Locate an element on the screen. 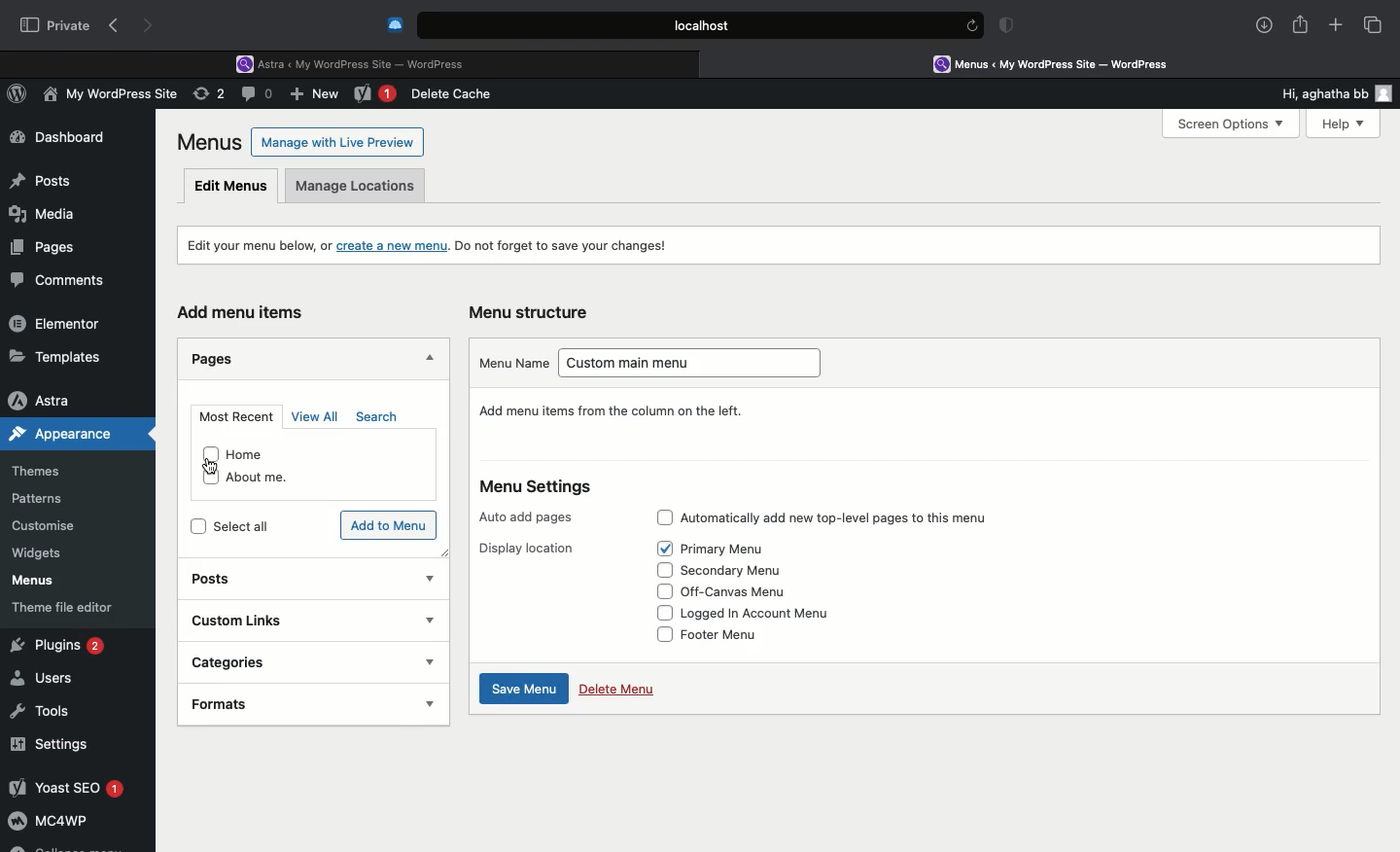  Settings is located at coordinates (51, 744).